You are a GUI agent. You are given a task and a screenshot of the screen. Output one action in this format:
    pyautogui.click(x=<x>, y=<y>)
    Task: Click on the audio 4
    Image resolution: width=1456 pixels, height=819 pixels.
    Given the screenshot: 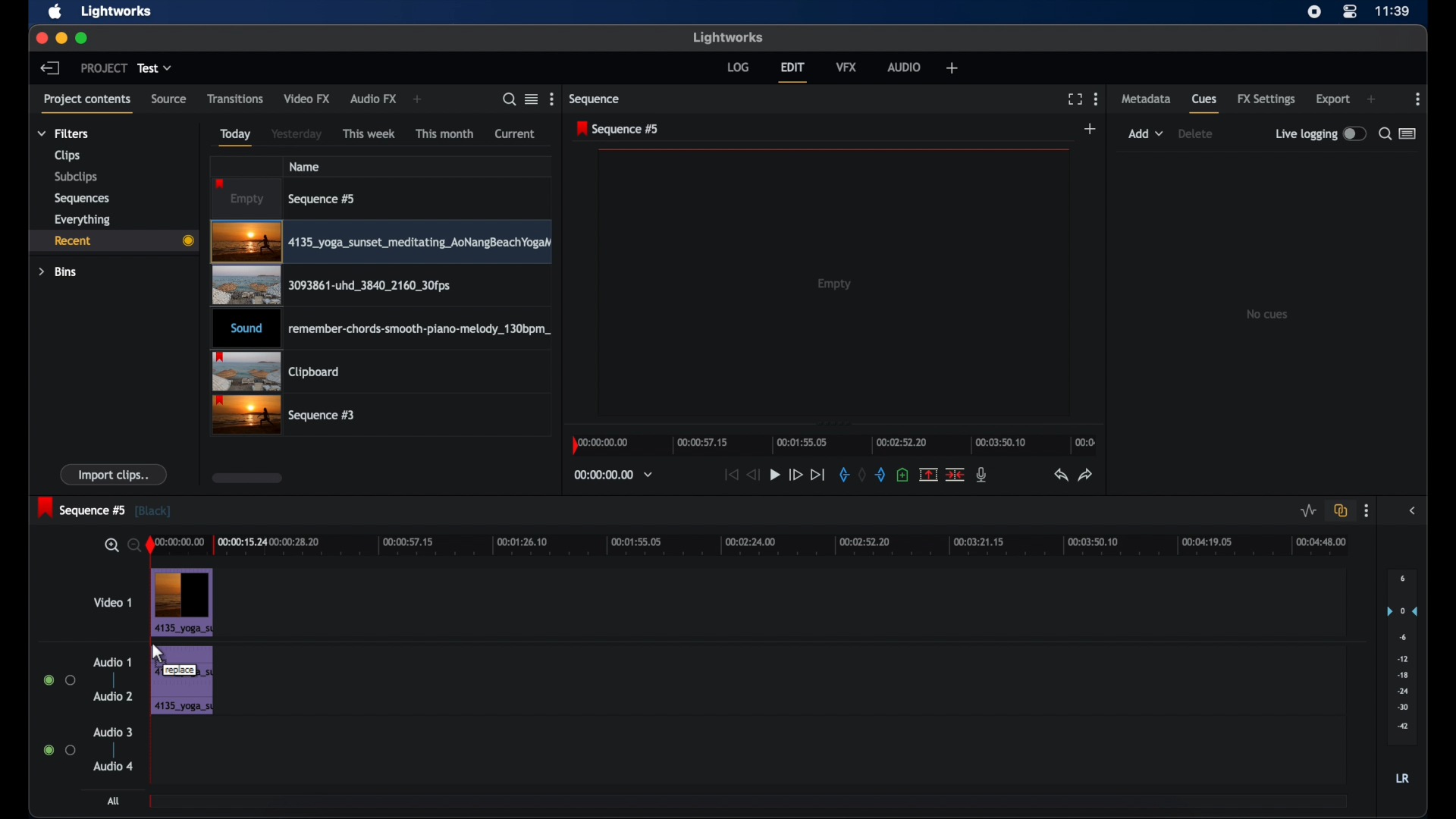 What is the action you would take?
    pyautogui.click(x=111, y=767)
    